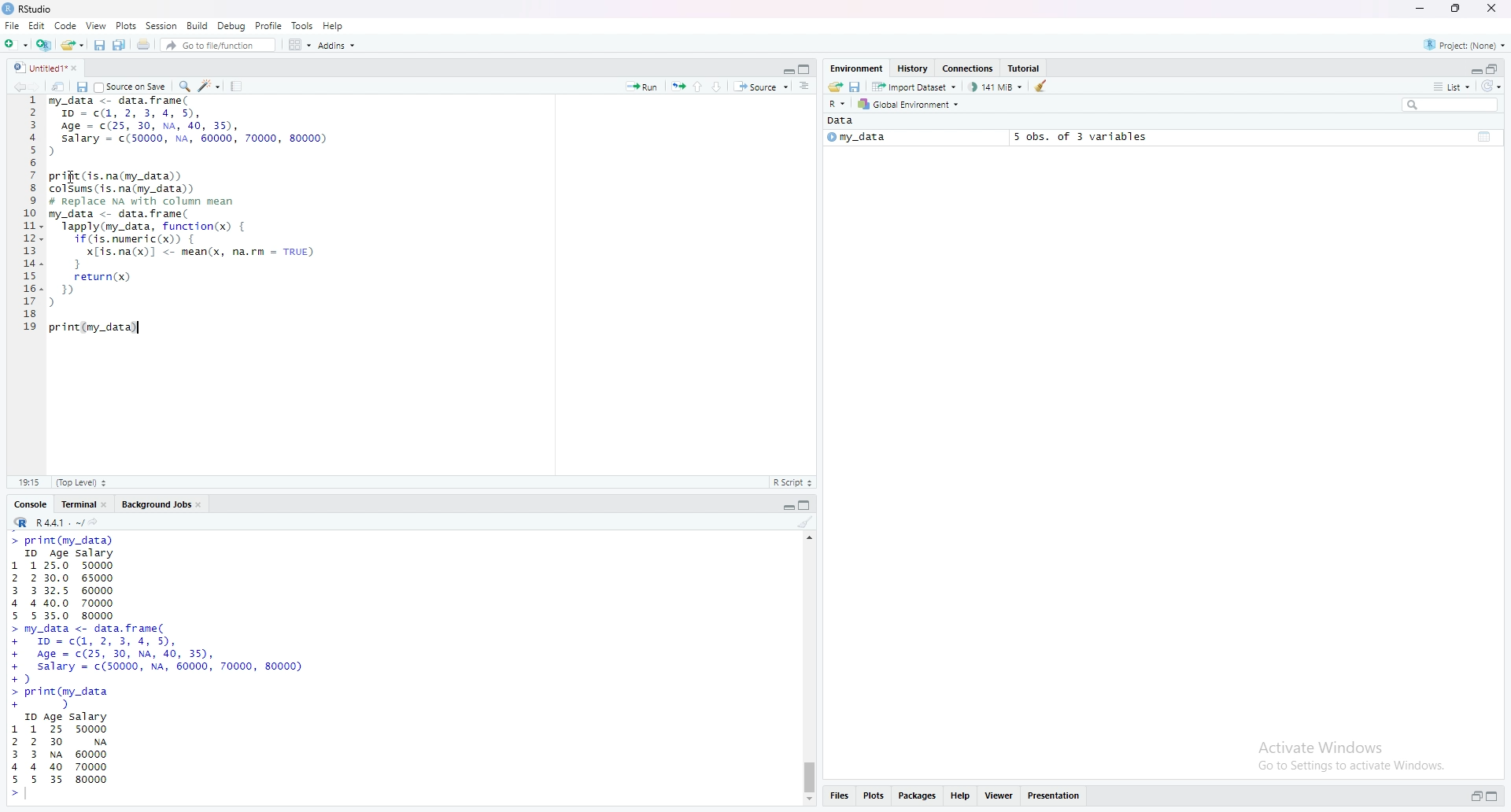  What do you see at coordinates (1025, 68) in the screenshot?
I see `tutorial` at bounding box center [1025, 68].